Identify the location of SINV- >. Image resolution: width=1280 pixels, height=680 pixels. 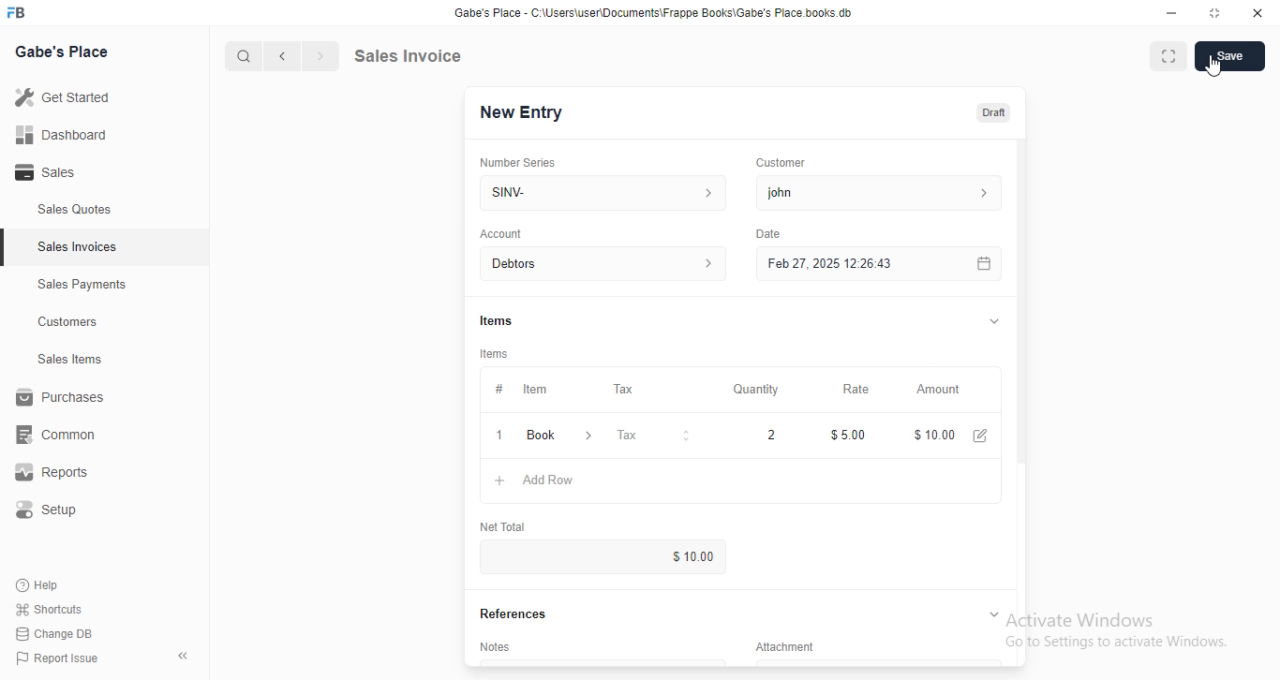
(597, 193).